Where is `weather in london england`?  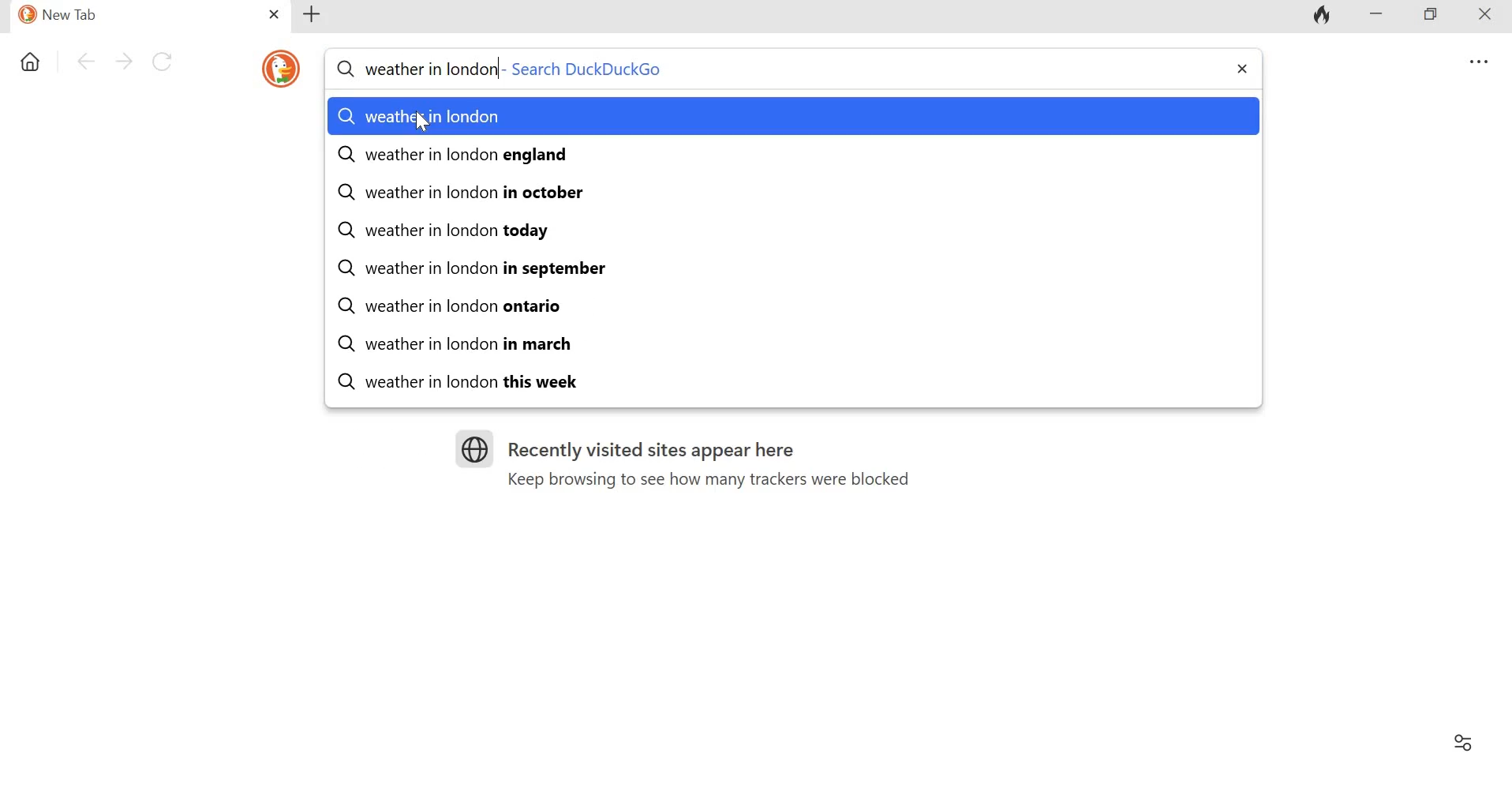
weather in london england is located at coordinates (796, 154).